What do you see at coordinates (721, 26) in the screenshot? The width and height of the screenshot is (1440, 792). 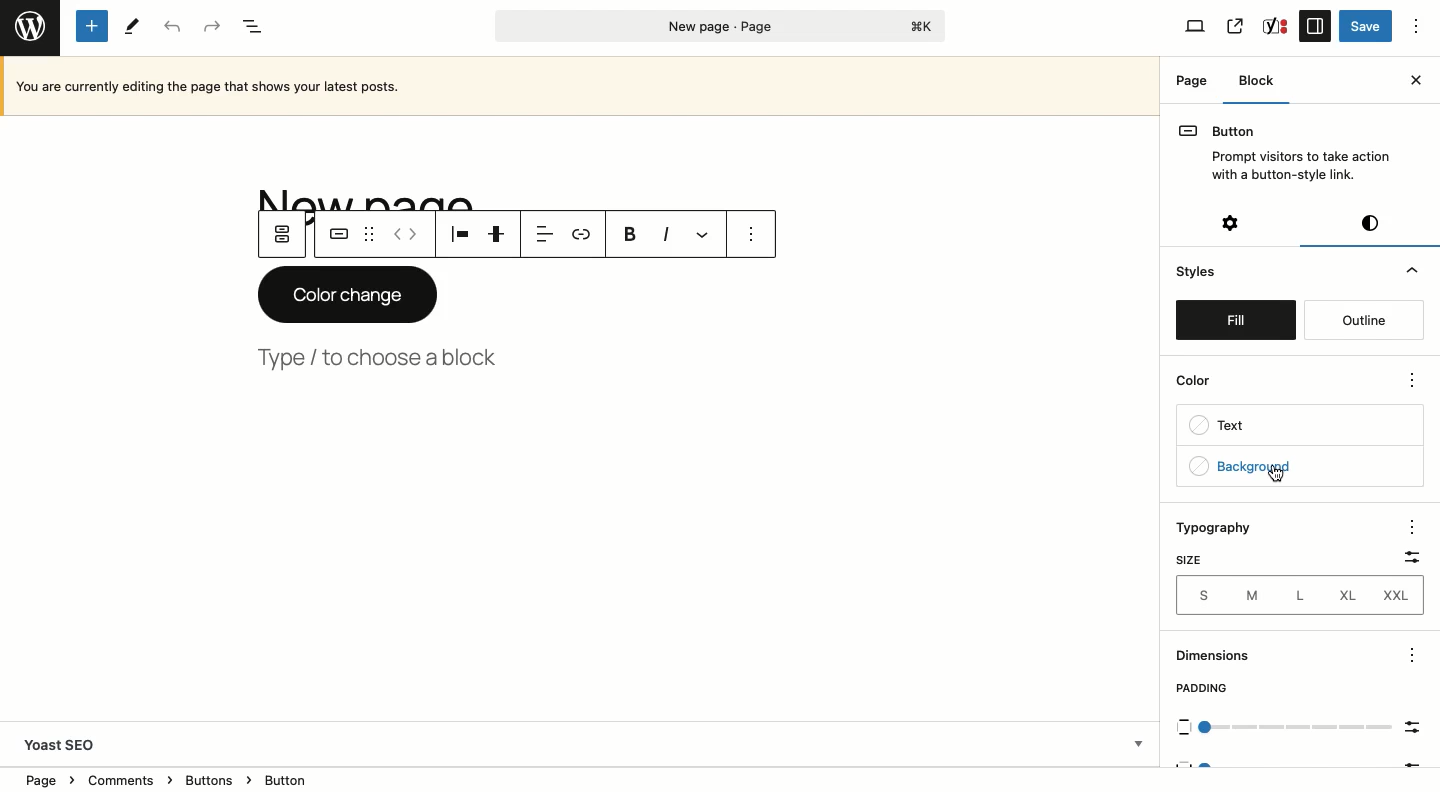 I see `Page` at bounding box center [721, 26].